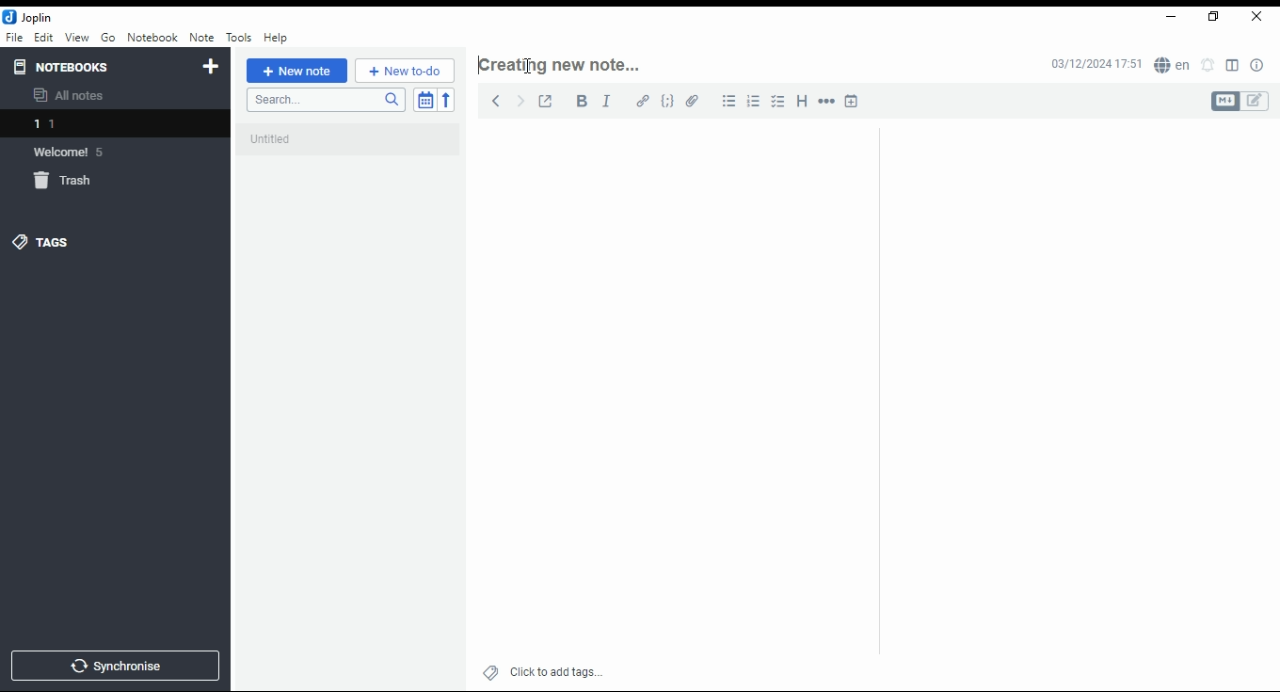  What do you see at coordinates (109, 123) in the screenshot?
I see `notebook` at bounding box center [109, 123].